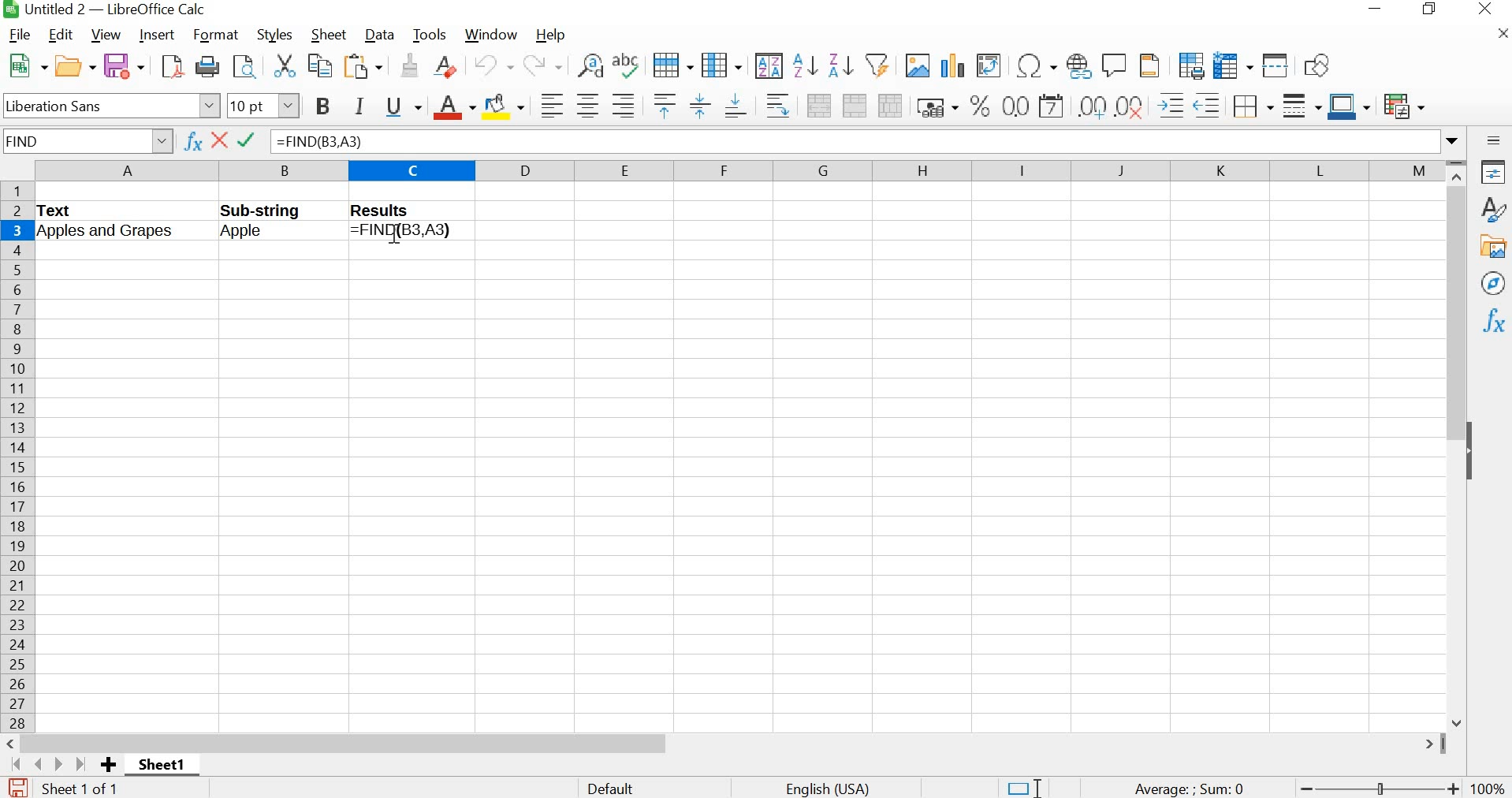  What do you see at coordinates (1092, 106) in the screenshot?
I see `remove decimal place` at bounding box center [1092, 106].